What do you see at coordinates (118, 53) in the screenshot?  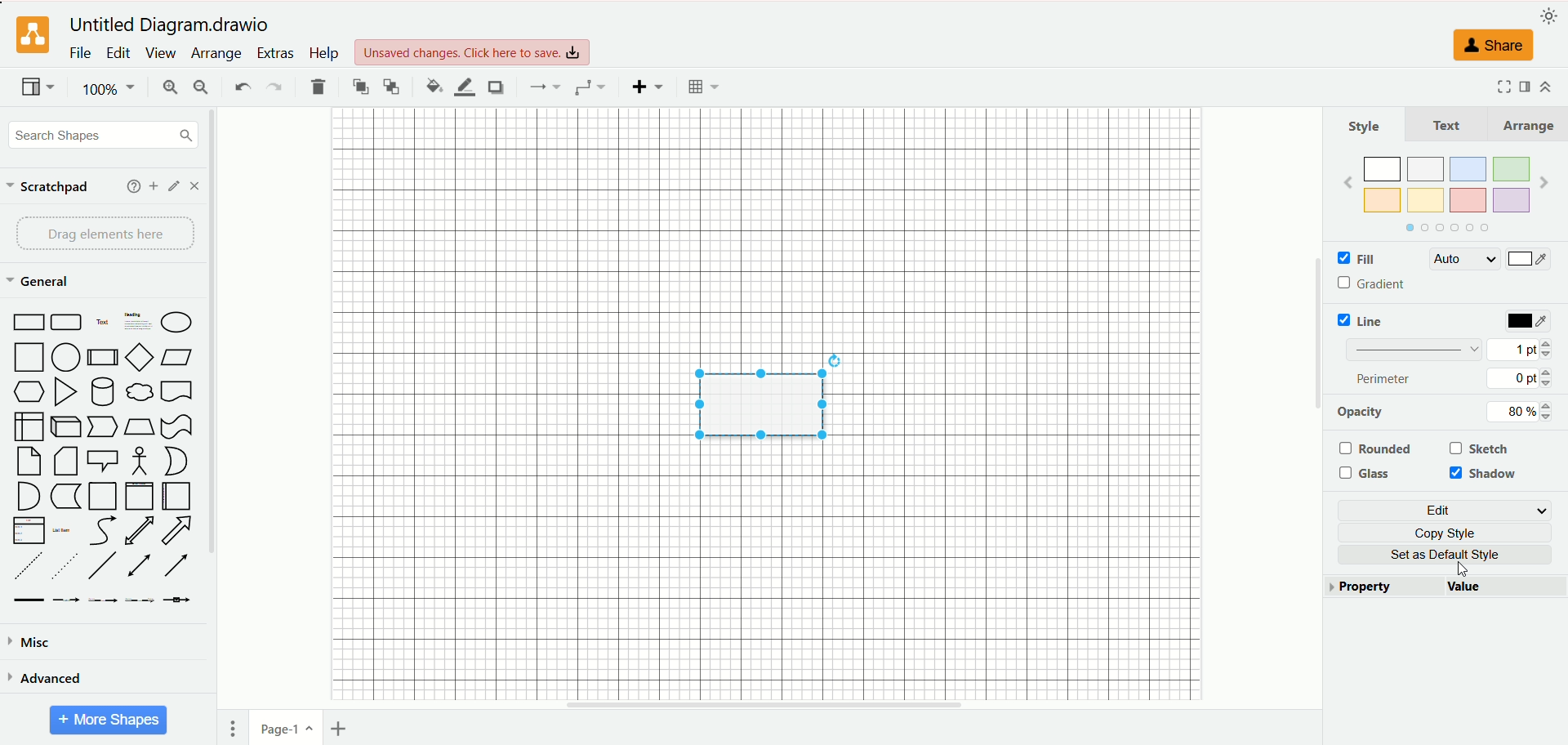 I see `edit` at bounding box center [118, 53].